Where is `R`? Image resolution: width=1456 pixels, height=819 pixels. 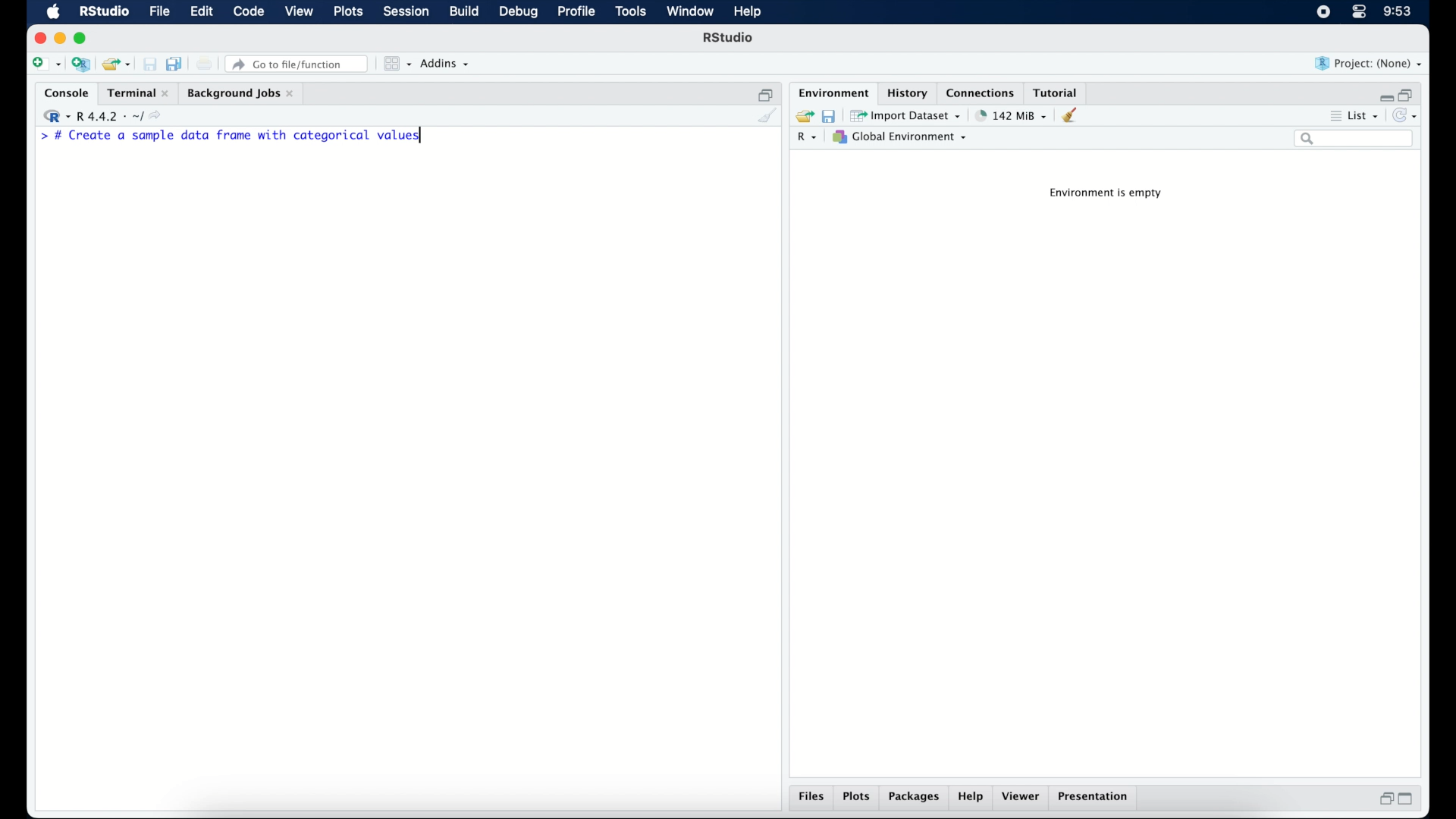
R is located at coordinates (810, 138).